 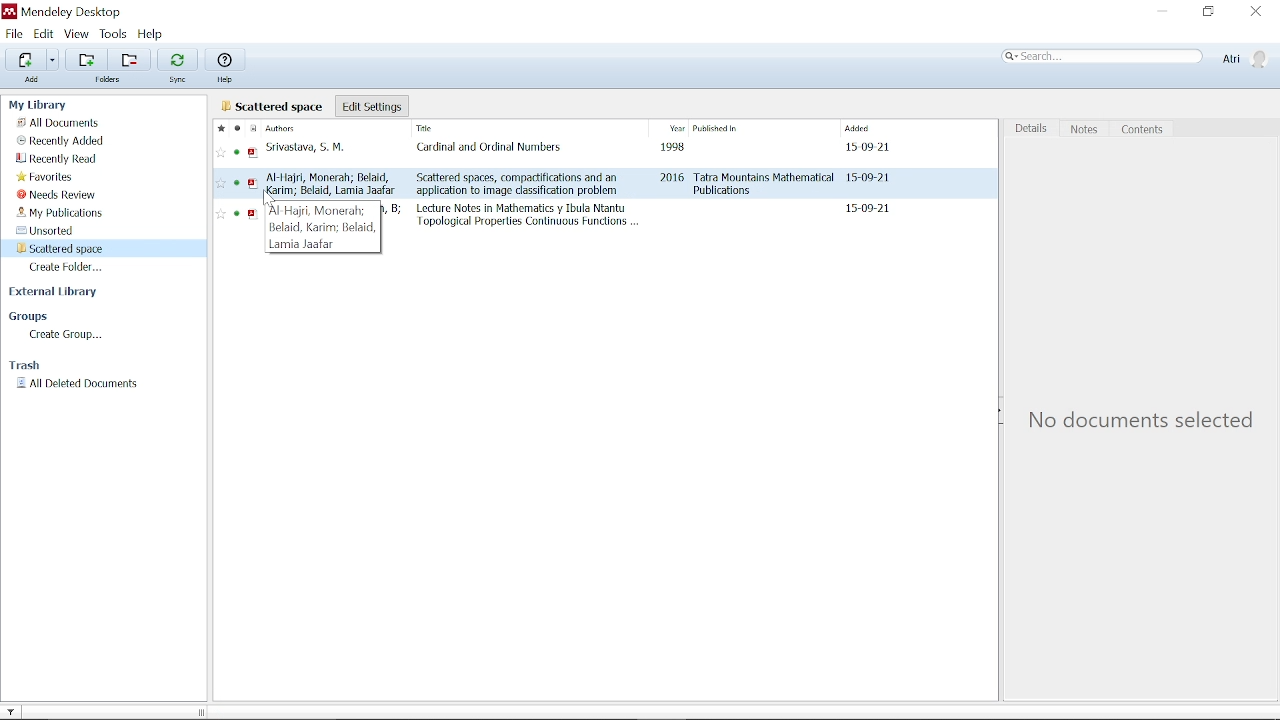 I want to click on year, so click(x=672, y=179).